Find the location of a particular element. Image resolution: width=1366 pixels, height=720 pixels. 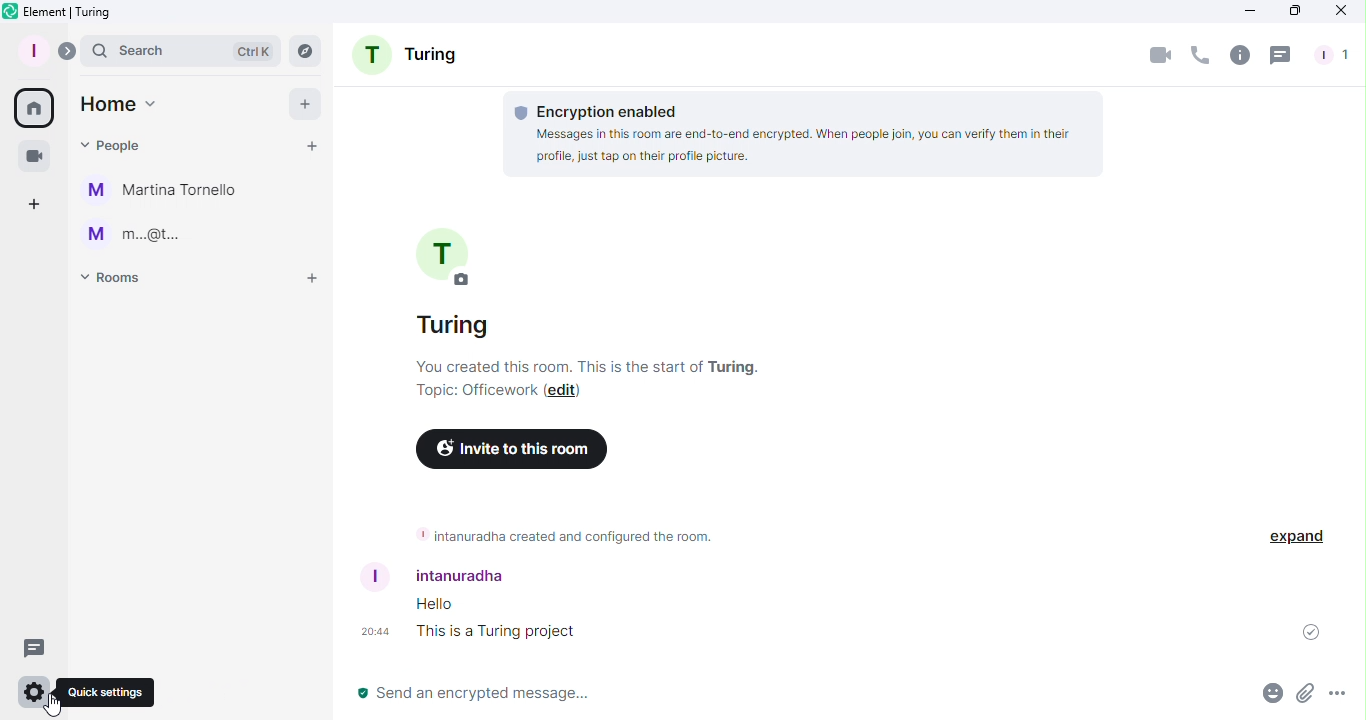

Room is located at coordinates (409, 57).